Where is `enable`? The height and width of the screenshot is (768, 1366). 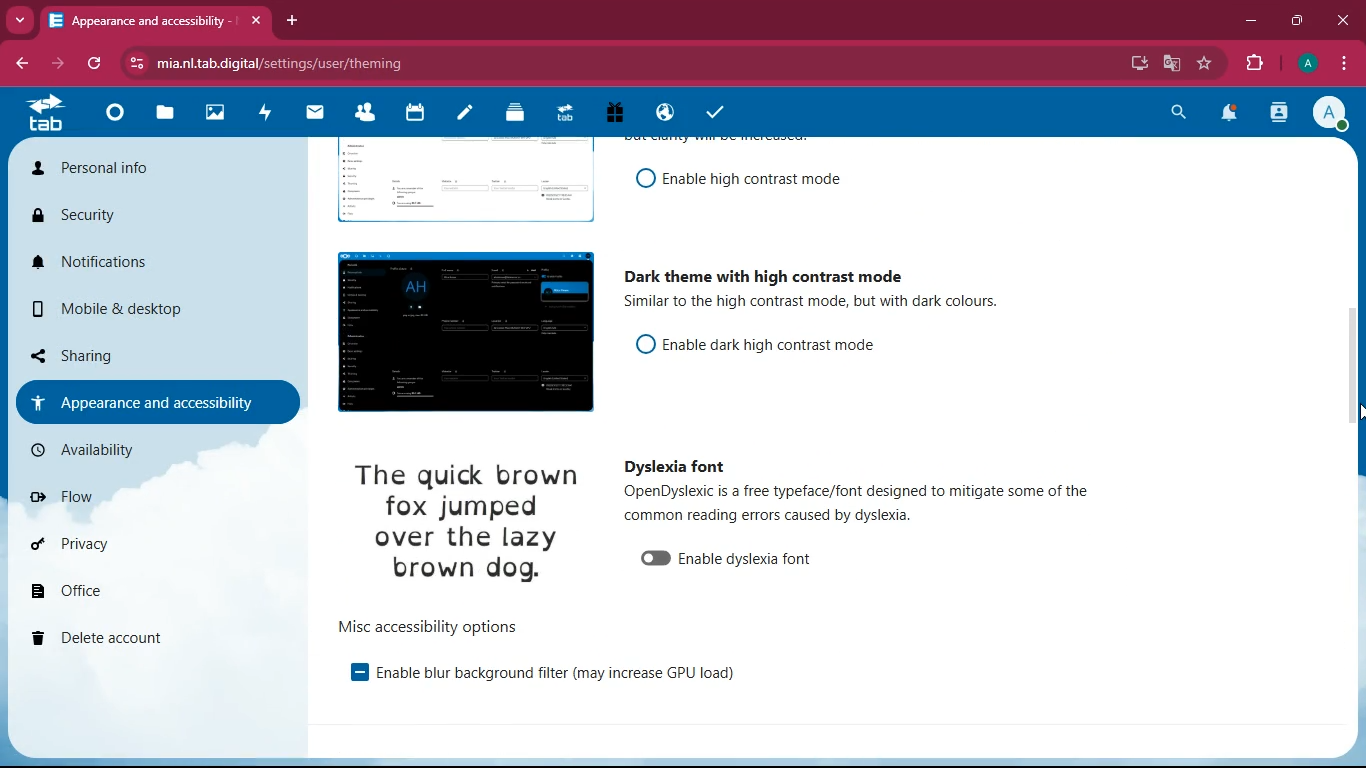 enable is located at coordinates (747, 560).